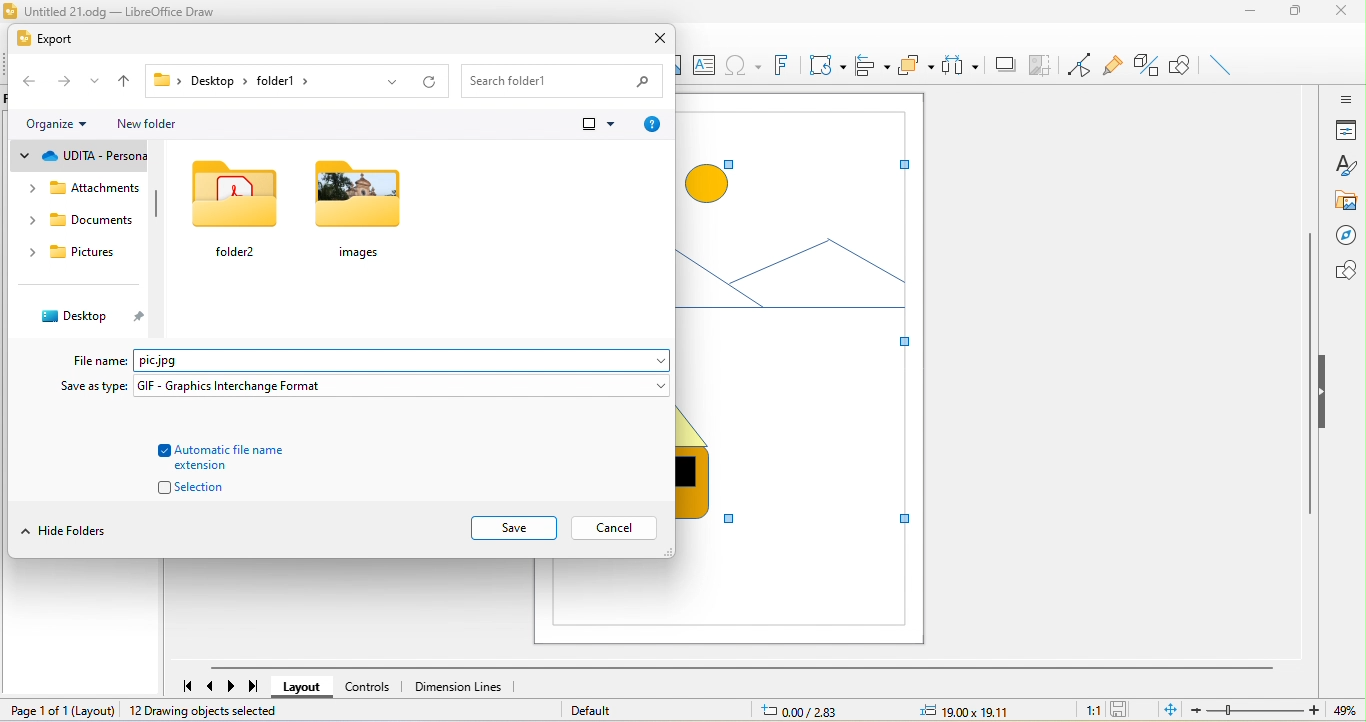 This screenshot has width=1366, height=722. What do you see at coordinates (659, 36) in the screenshot?
I see `close` at bounding box center [659, 36].